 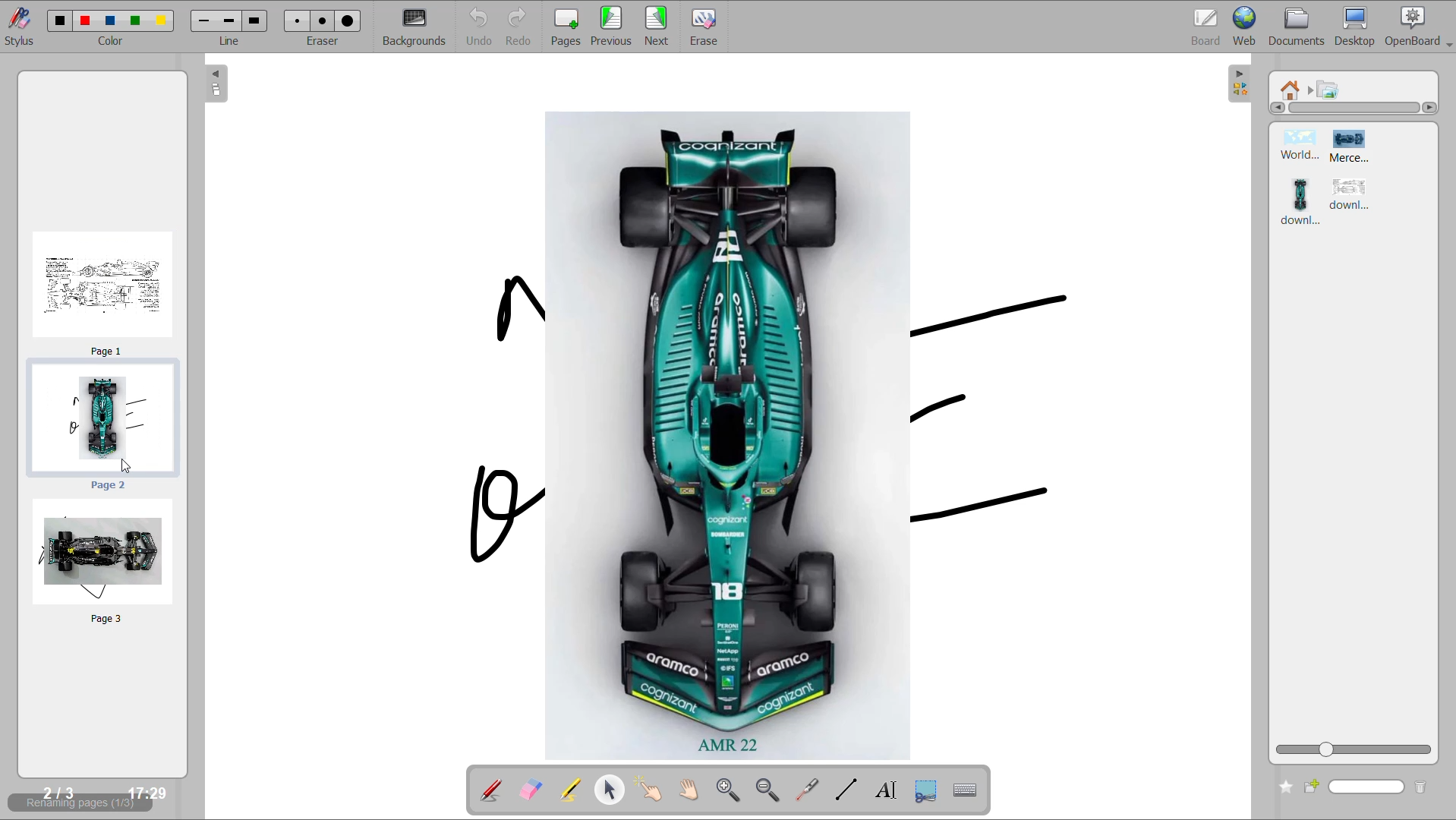 I want to click on select and modify objects, so click(x=612, y=789).